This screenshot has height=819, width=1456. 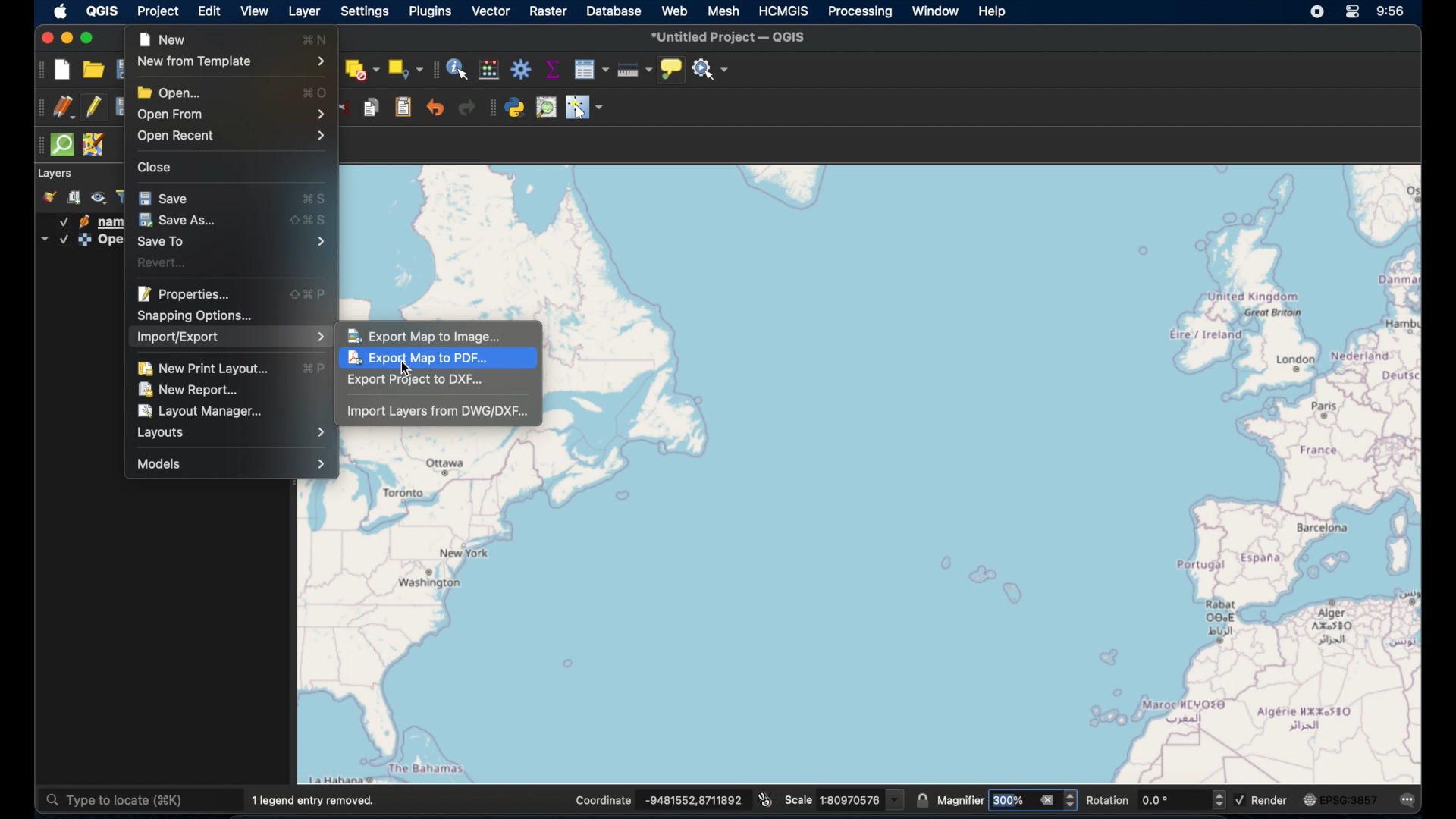 What do you see at coordinates (1341, 800) in the screenshot?
I see `current csr` at bounding box center [1341, 800].